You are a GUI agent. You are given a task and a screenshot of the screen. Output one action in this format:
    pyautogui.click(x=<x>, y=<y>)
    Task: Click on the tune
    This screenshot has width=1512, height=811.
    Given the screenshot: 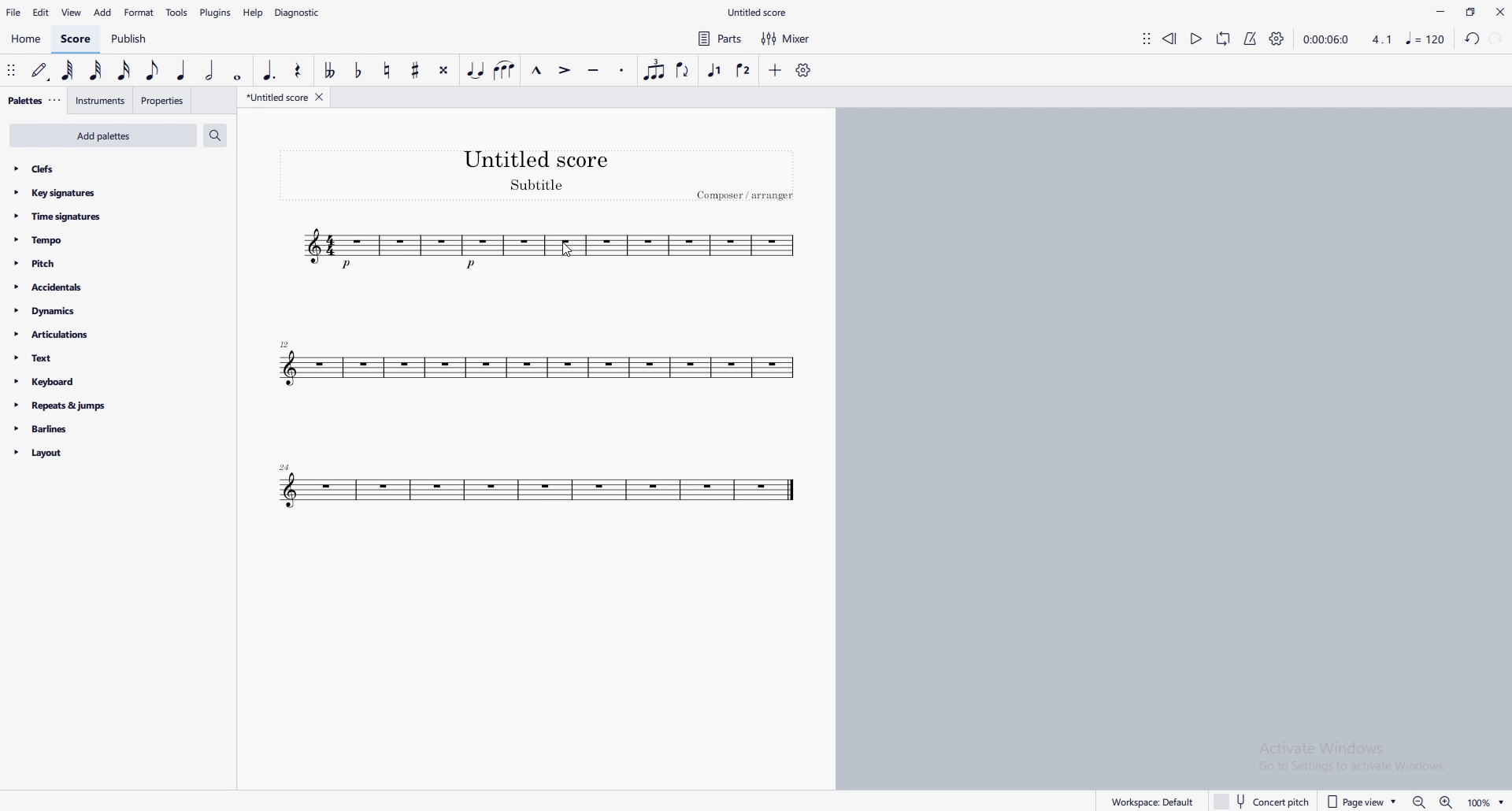 What is the action you would take?
    pyautogui.click(x=539, y=365)
    